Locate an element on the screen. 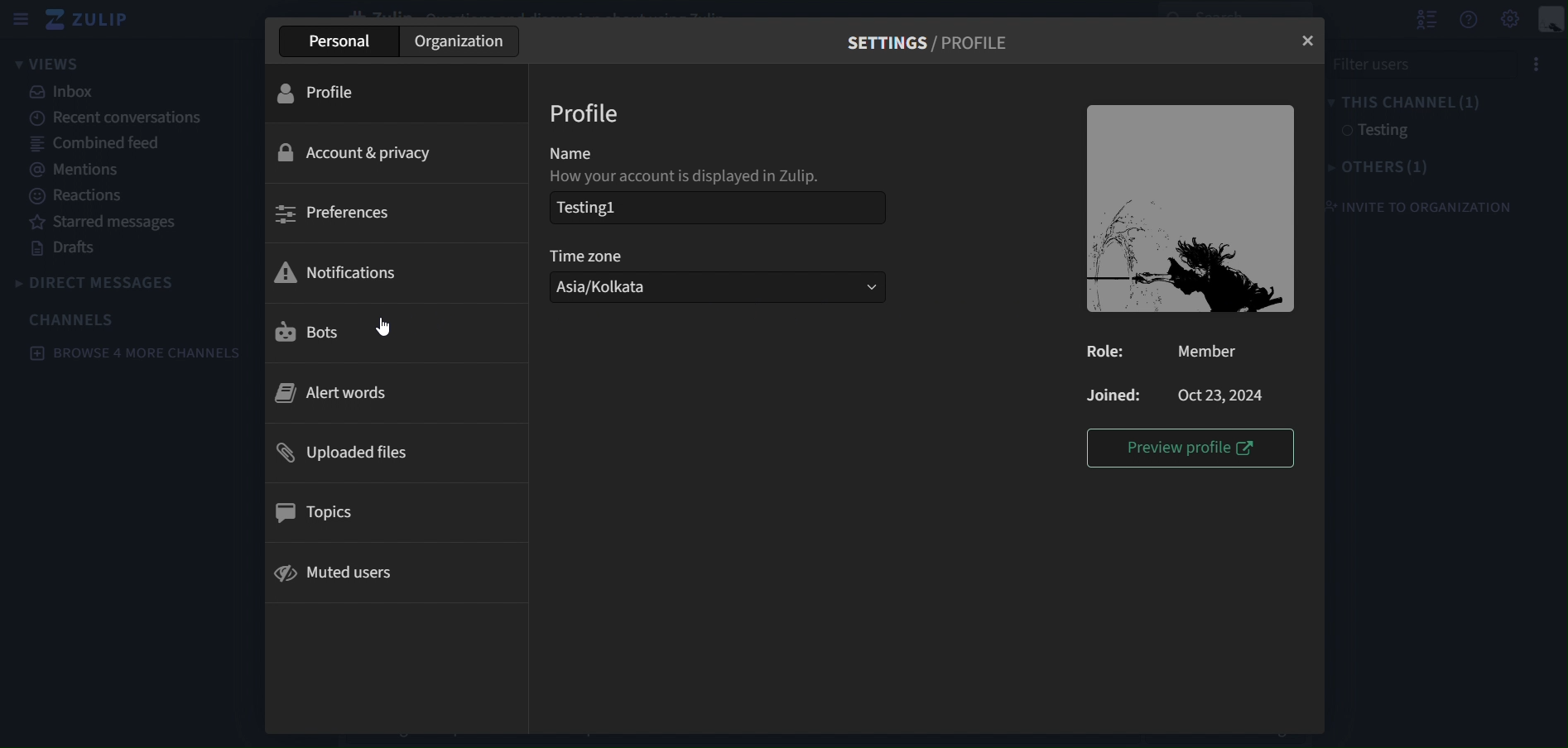 The width and height of the screenshot is (1568, 748). profile is located at coordinates (591, 113).